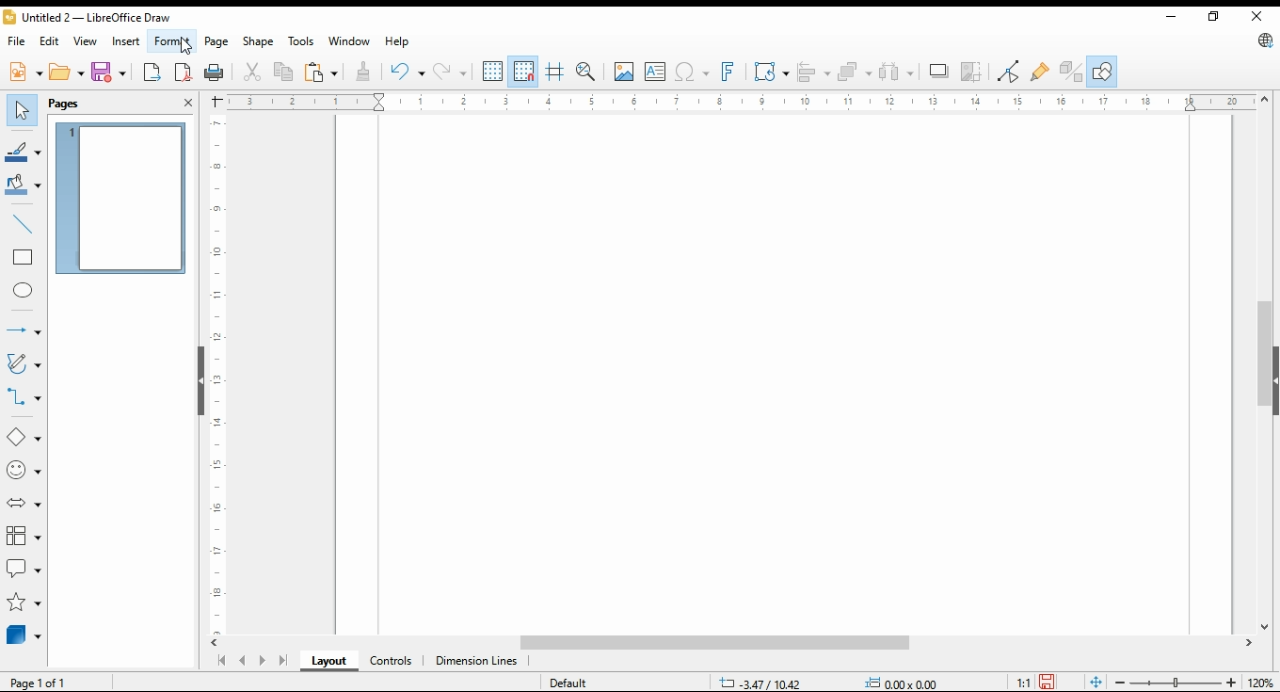 This screenshot has height=692, width=1280. I want to click on 0.00x0.00, so click(905, 682).